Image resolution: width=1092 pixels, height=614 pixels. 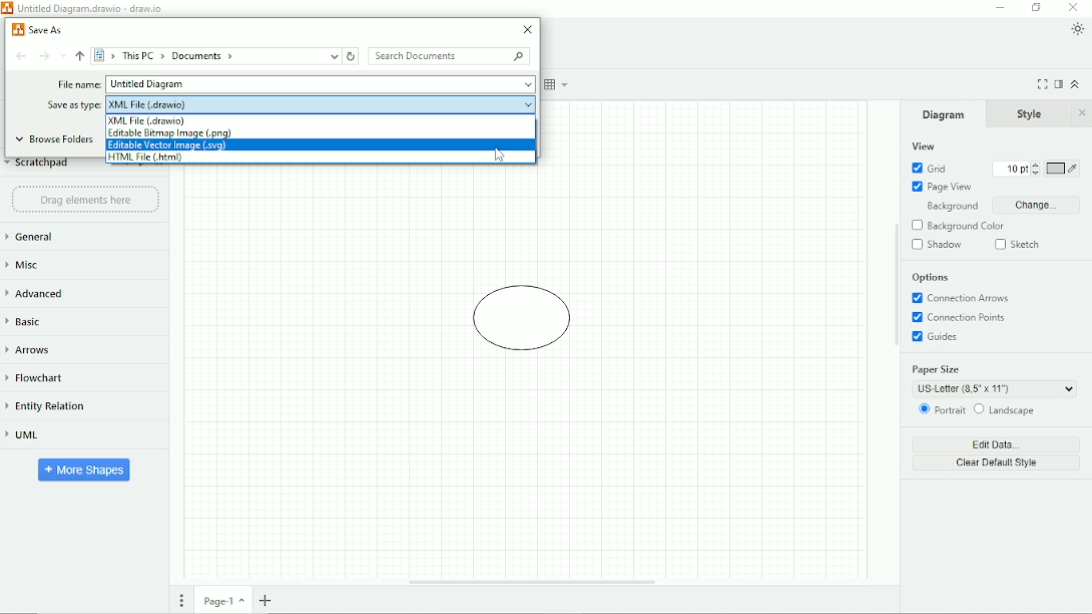 I want to click on Untitled Diagram.dawio - draw.io, so click(x=93, y=9).